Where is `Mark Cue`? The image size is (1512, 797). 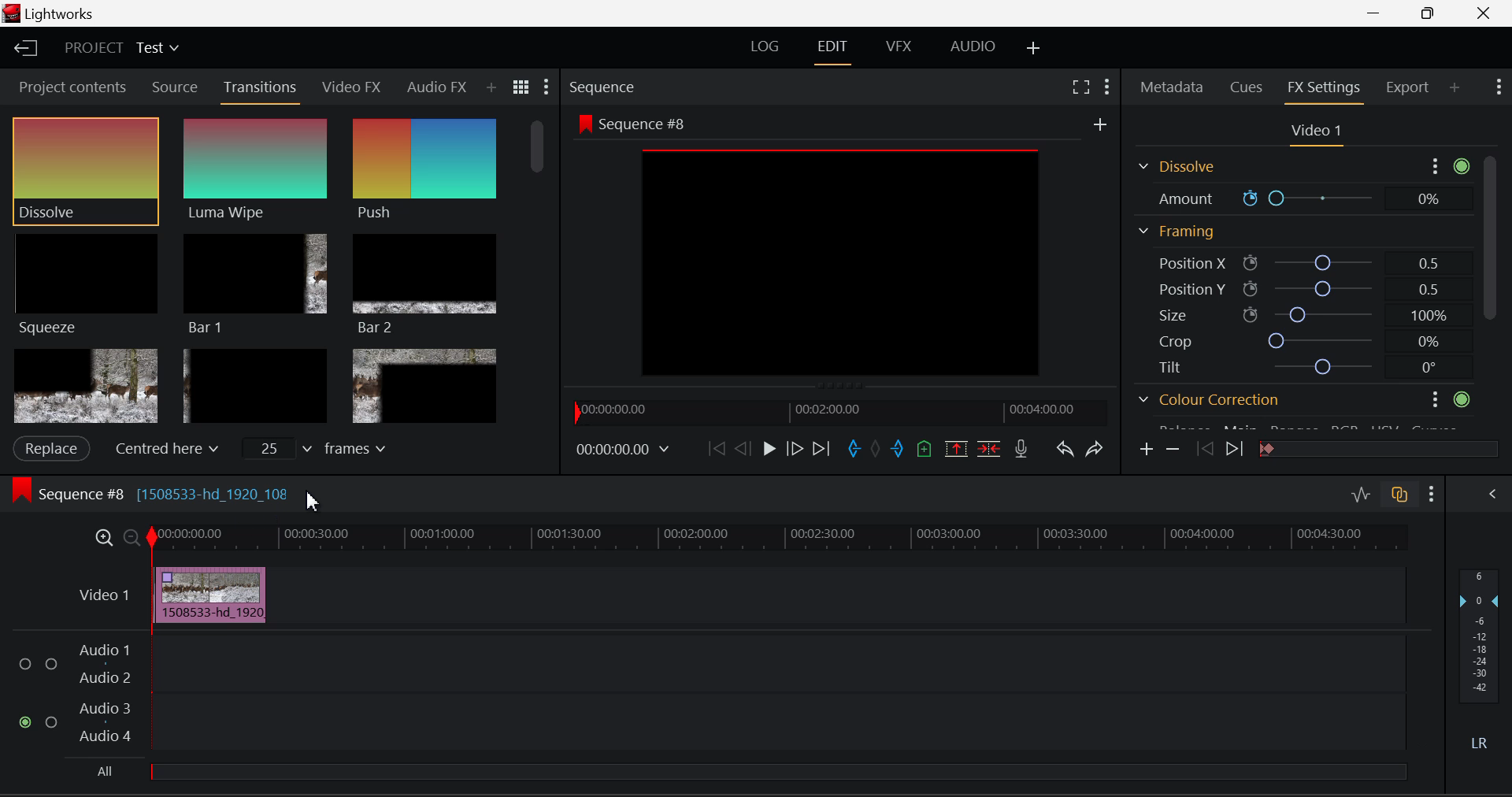
Mark Cue is located at coordinates (925, 450).